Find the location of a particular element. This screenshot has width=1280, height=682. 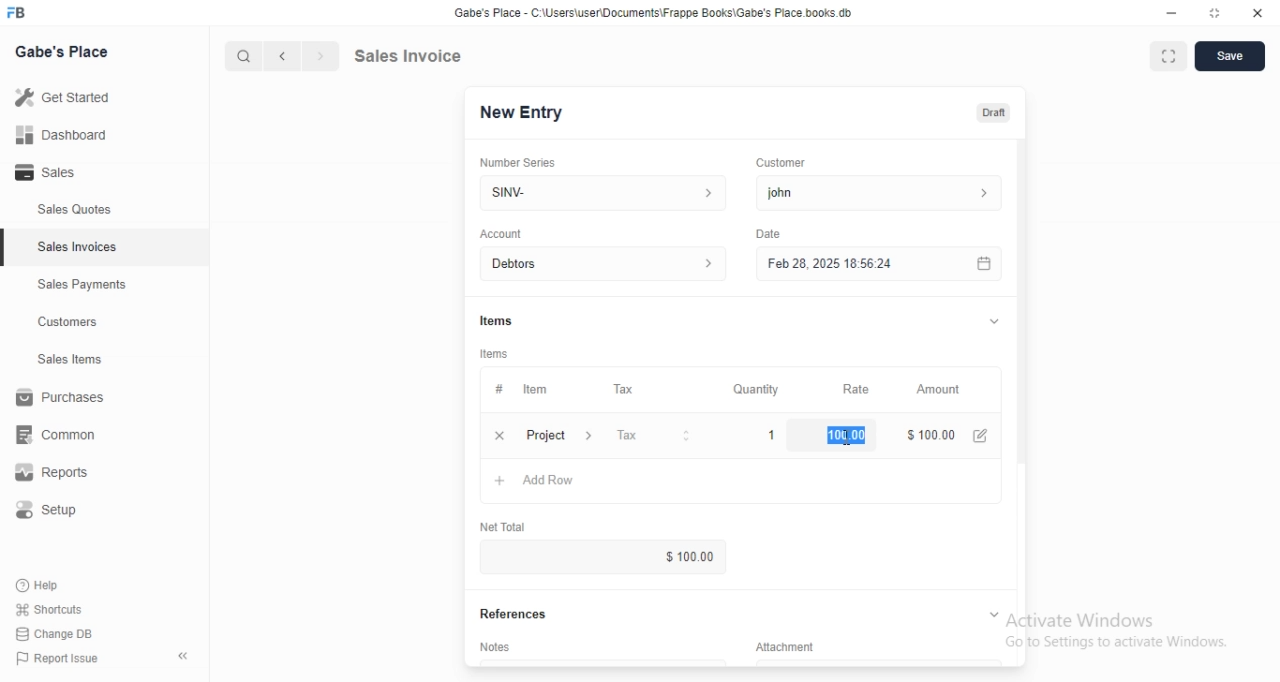

common is located at coordinates (62, 434).